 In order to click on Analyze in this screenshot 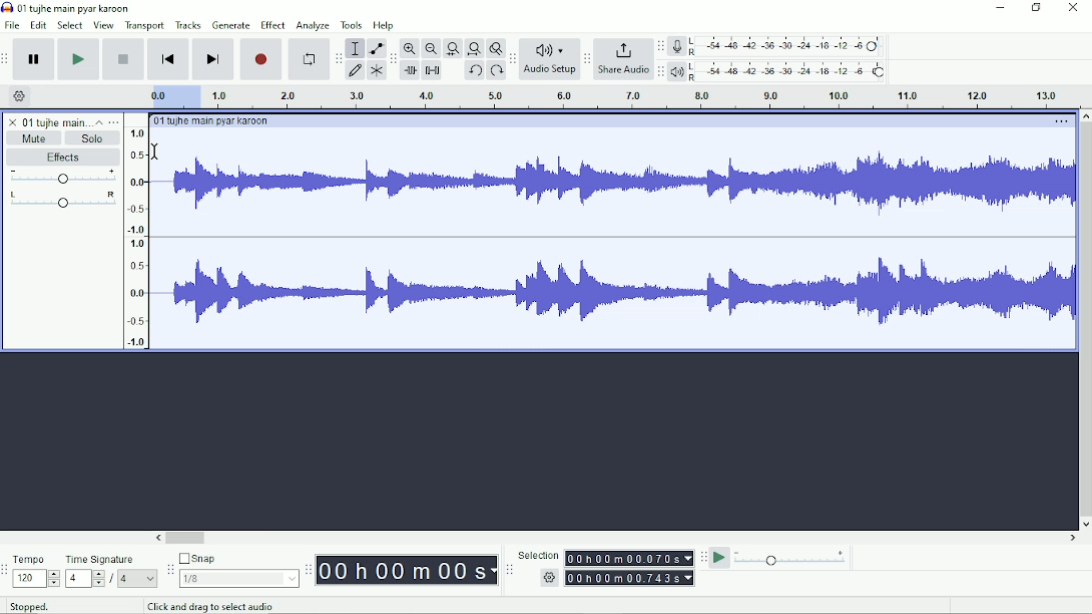, I will do `click(312, 27)`.